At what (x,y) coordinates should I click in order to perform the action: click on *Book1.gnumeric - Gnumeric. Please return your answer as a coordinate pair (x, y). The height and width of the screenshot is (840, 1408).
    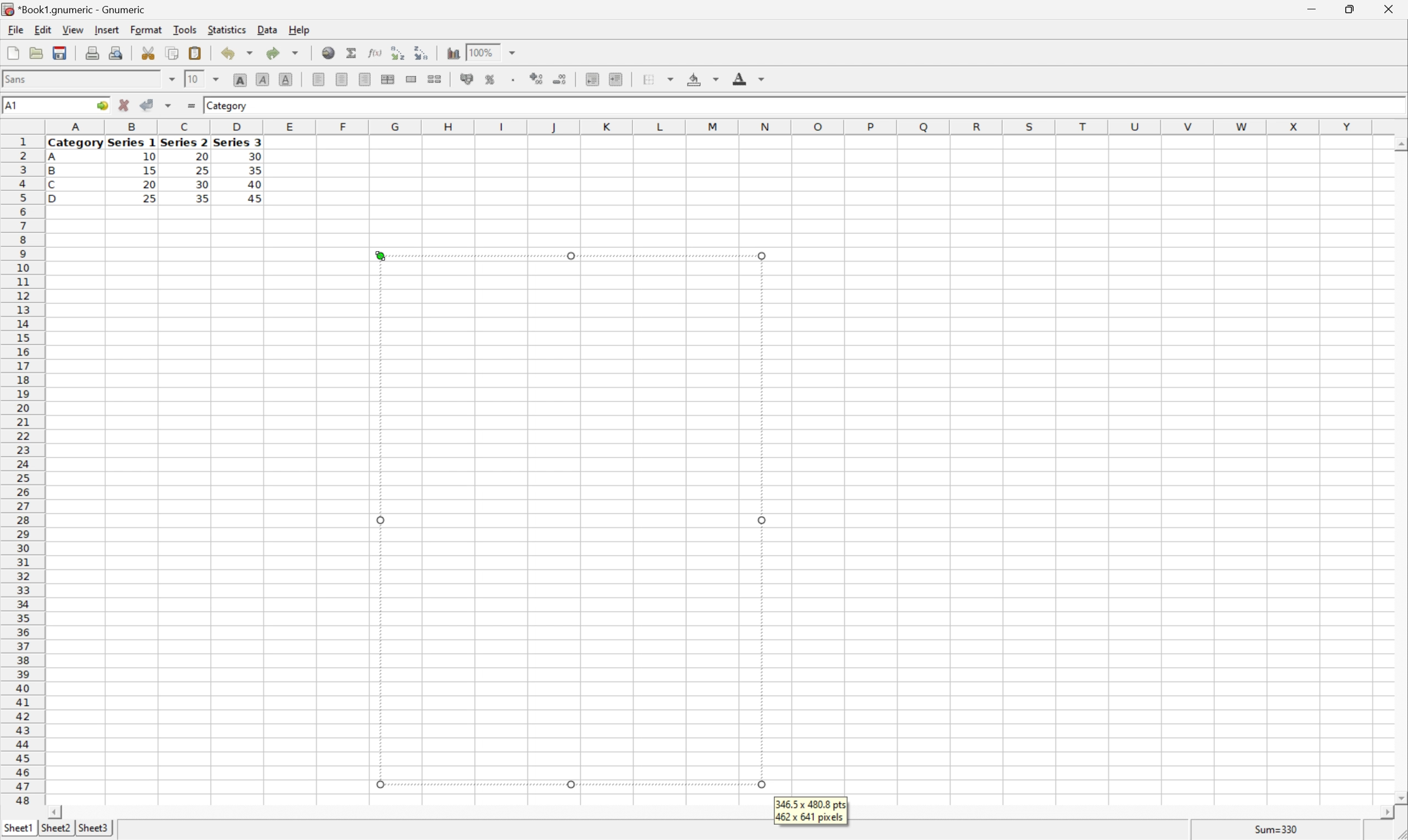
    Looking at the image, I should click on (75, 8).